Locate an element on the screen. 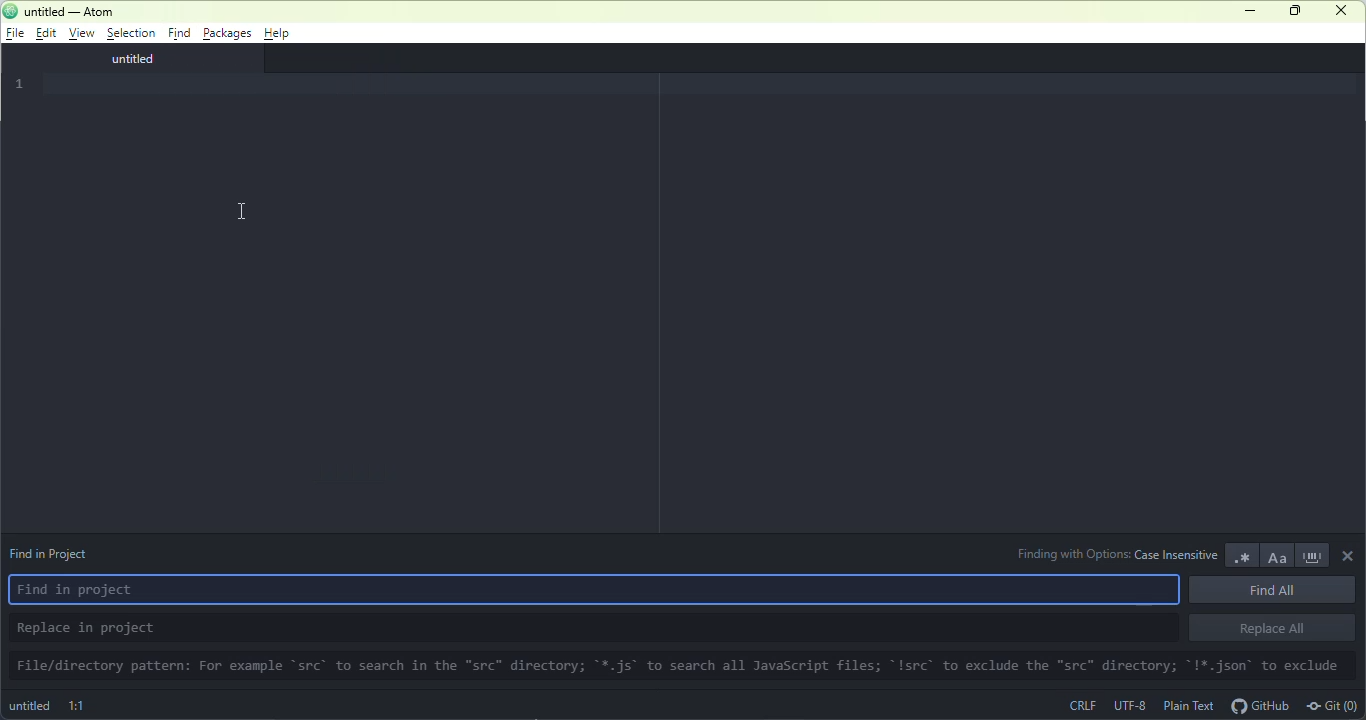  github is located at coordinates (1260, 705).